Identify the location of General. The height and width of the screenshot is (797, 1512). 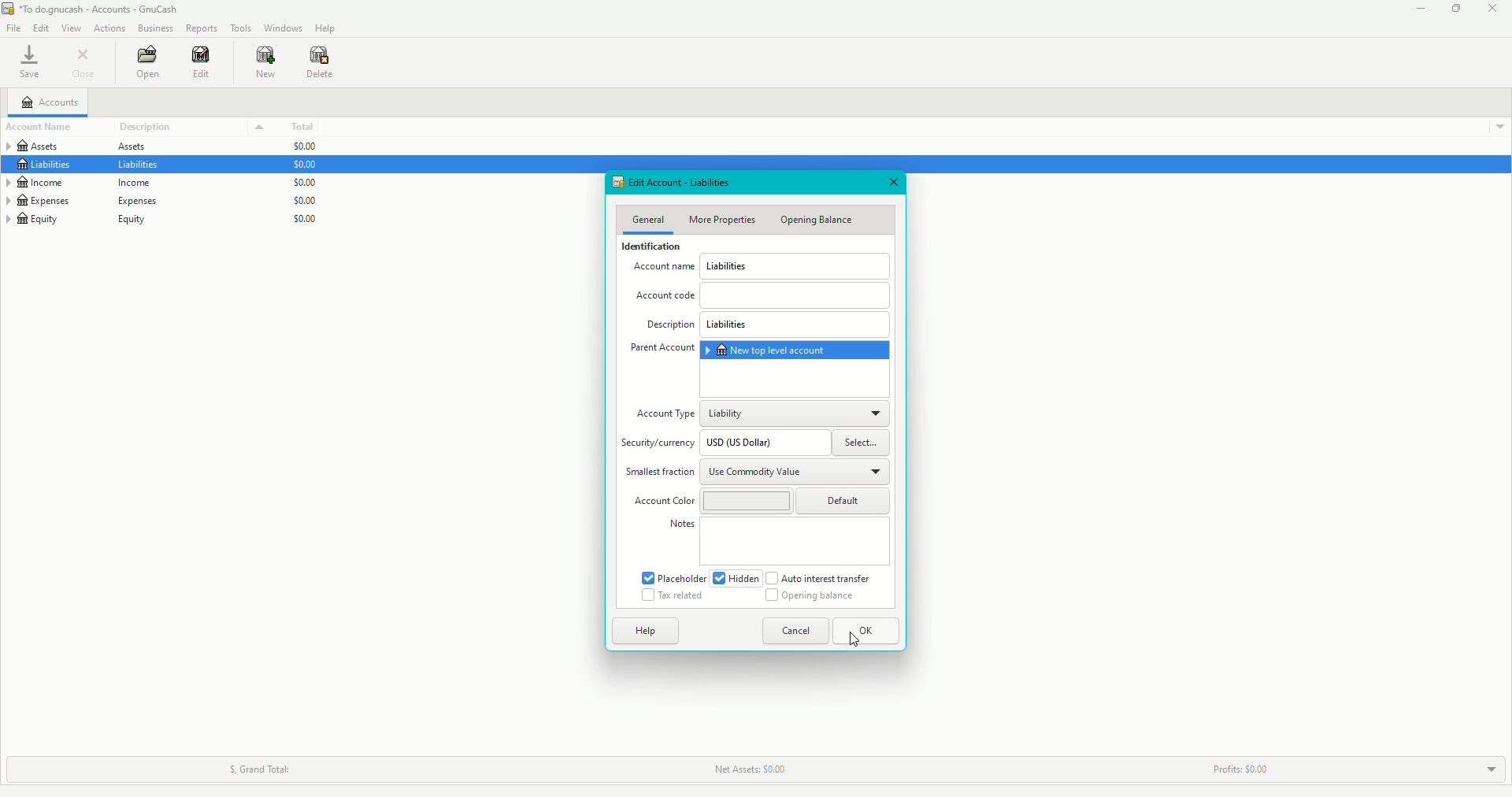
(650, 217).